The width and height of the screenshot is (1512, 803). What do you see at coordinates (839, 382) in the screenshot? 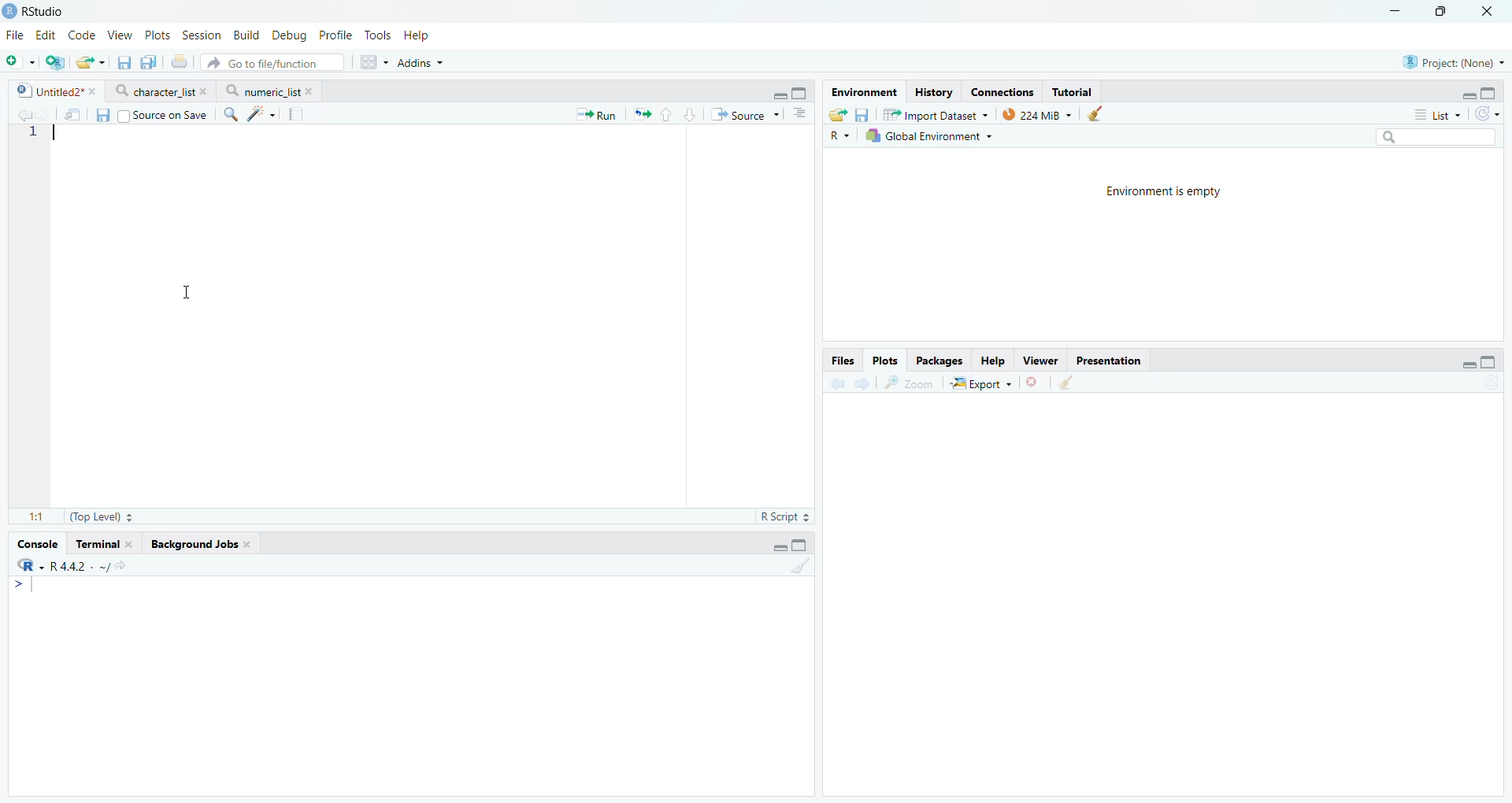
I see `Go to previous plot` at bounding box center [839, 382].